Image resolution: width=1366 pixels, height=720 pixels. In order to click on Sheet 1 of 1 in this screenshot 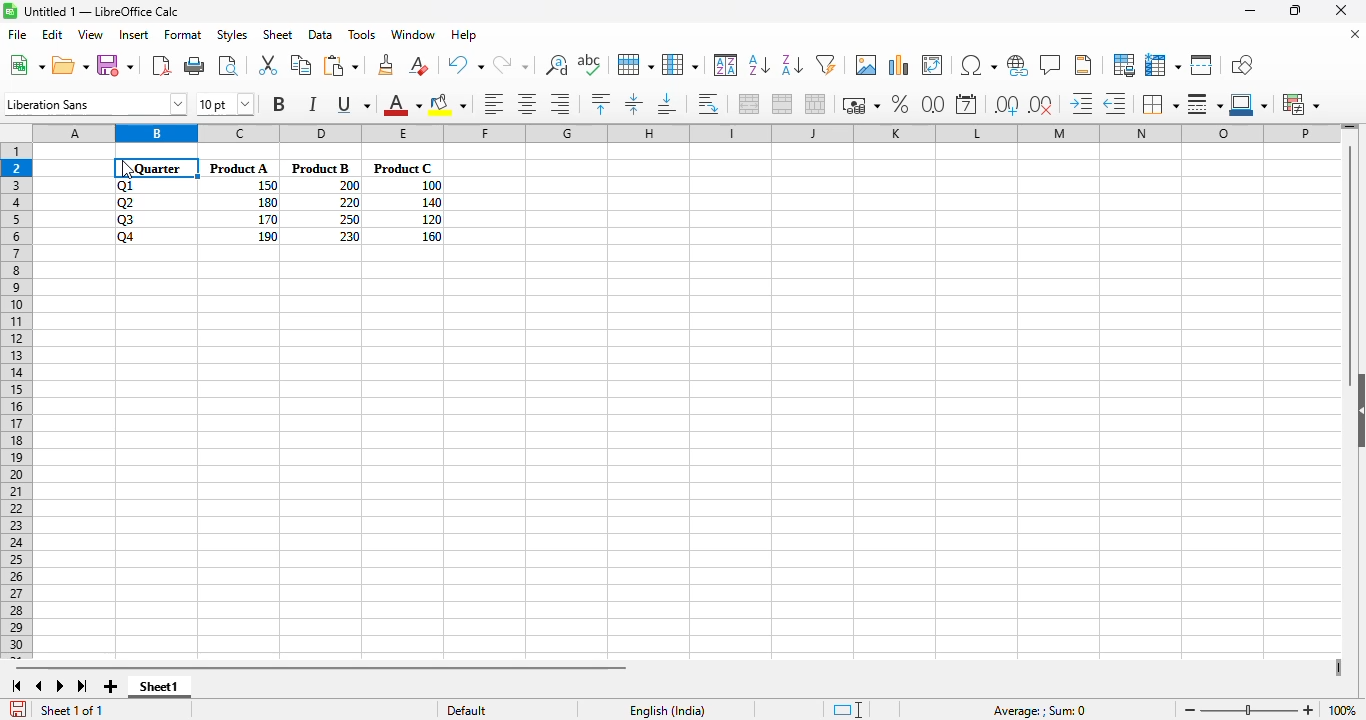, I will do `click(73, 710)`.